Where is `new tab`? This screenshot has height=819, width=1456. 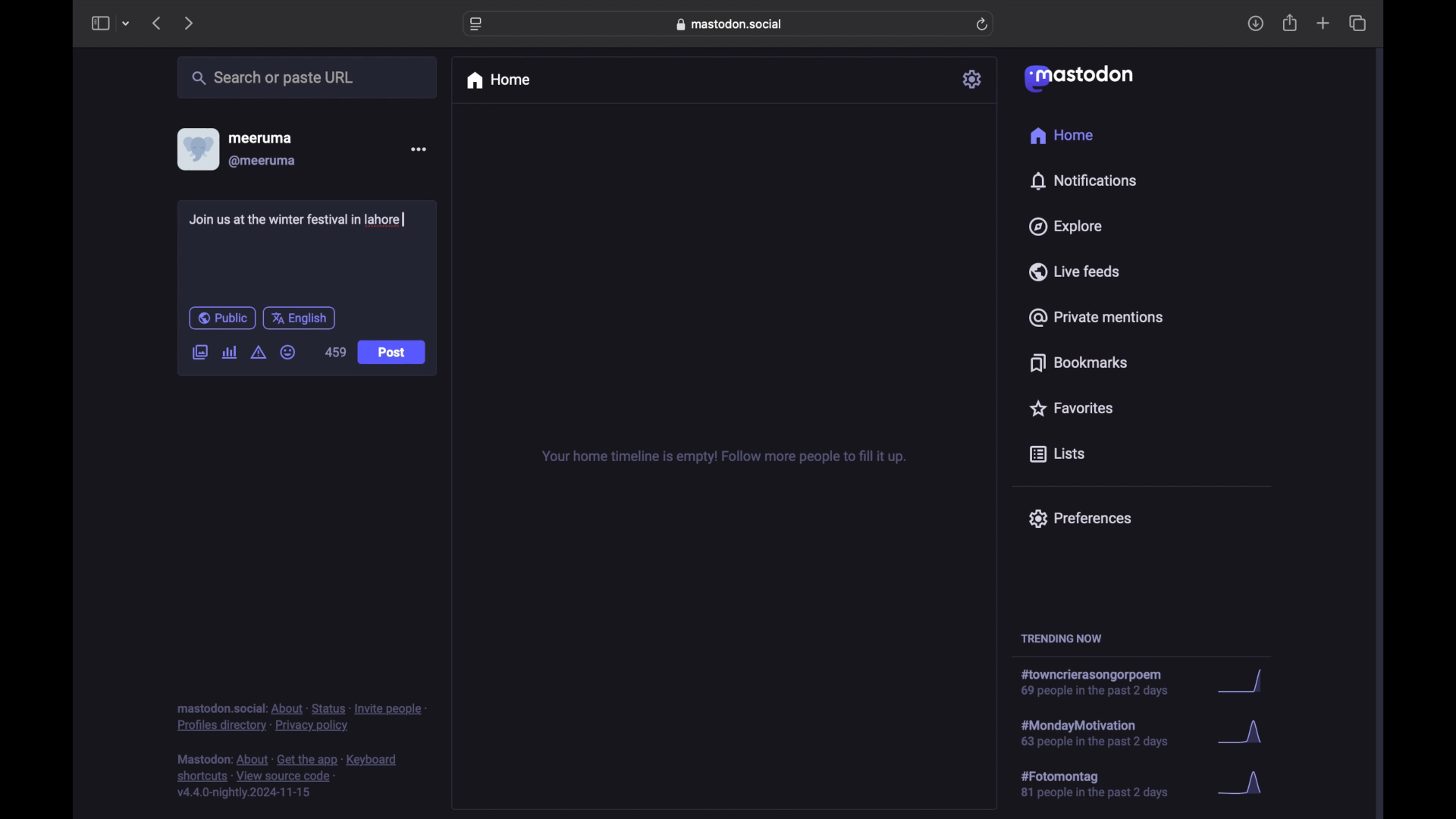 new tab is located at coordinates (1323, 23).